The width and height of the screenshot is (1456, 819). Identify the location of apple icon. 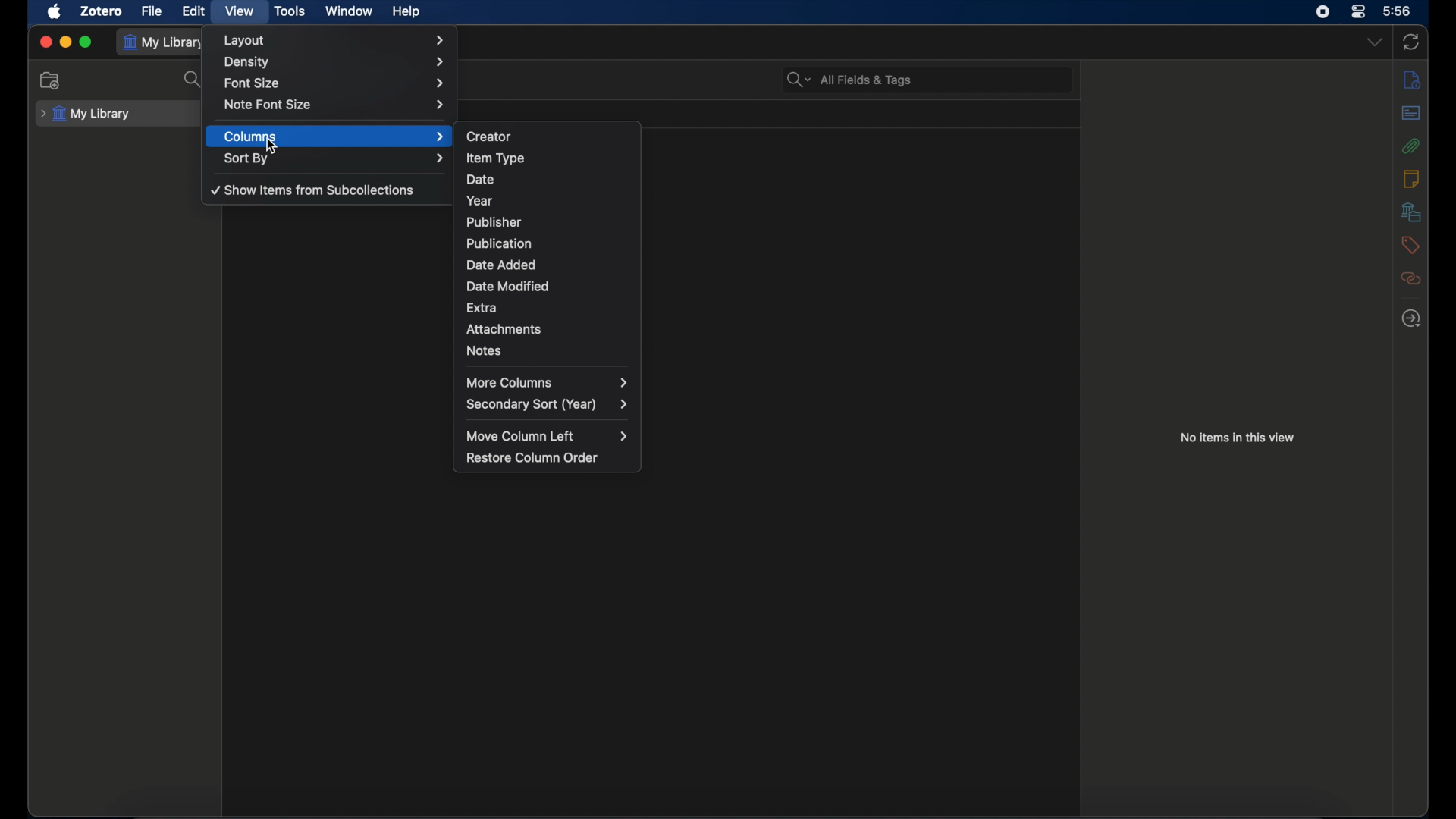
(55, 12).